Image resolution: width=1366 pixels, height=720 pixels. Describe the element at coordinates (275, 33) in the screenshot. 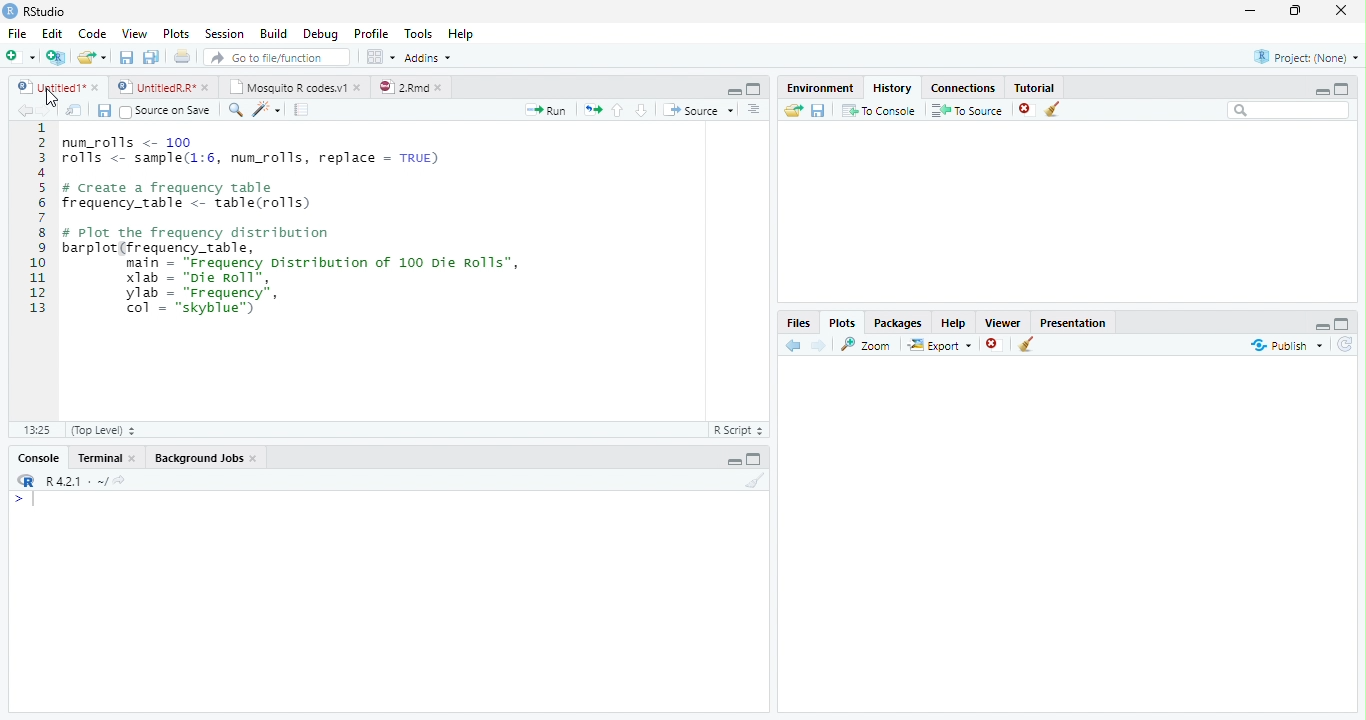

I see `Build` at that location.